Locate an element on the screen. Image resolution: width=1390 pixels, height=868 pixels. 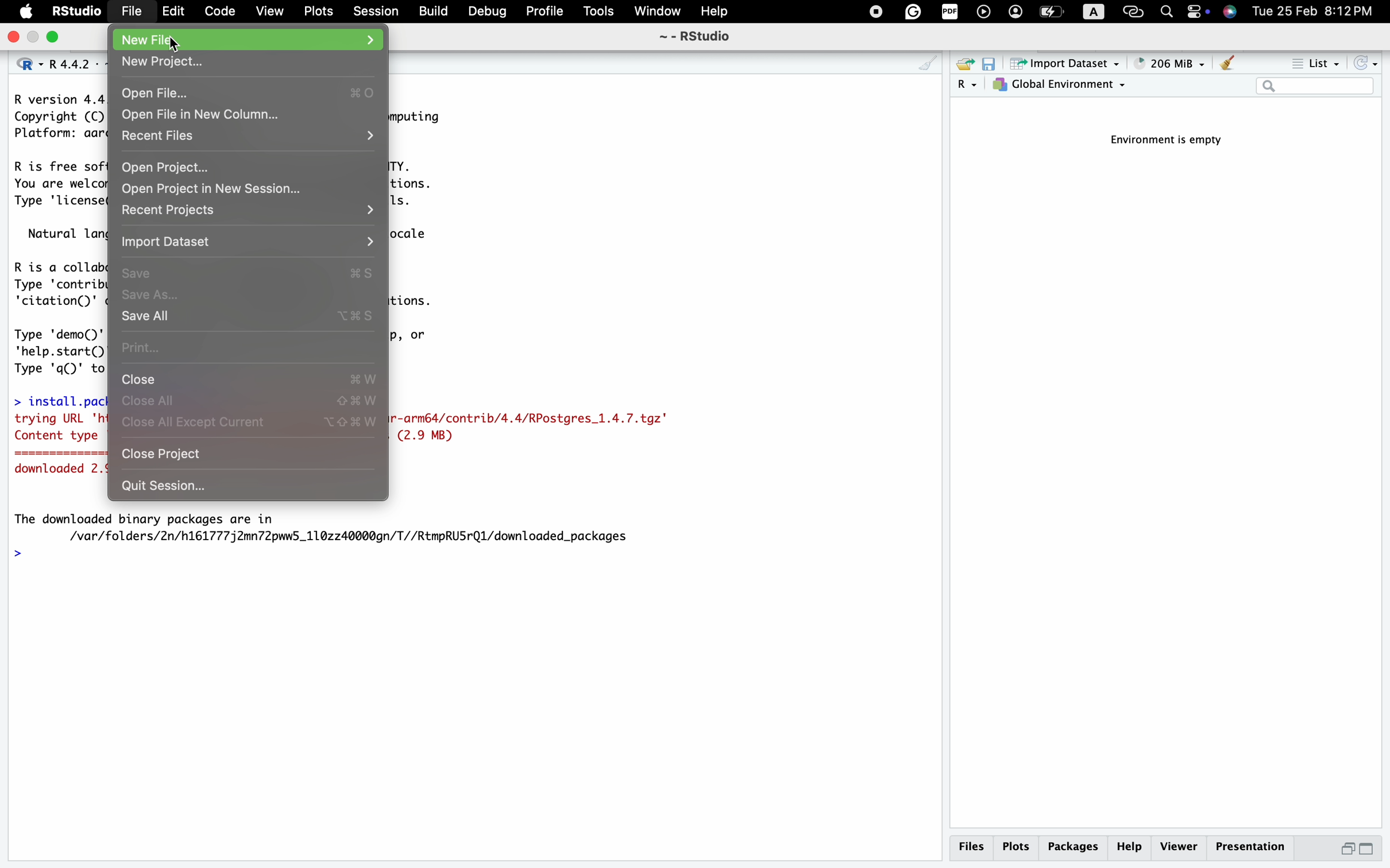
battery charge is located at coordinates (1050, 13).